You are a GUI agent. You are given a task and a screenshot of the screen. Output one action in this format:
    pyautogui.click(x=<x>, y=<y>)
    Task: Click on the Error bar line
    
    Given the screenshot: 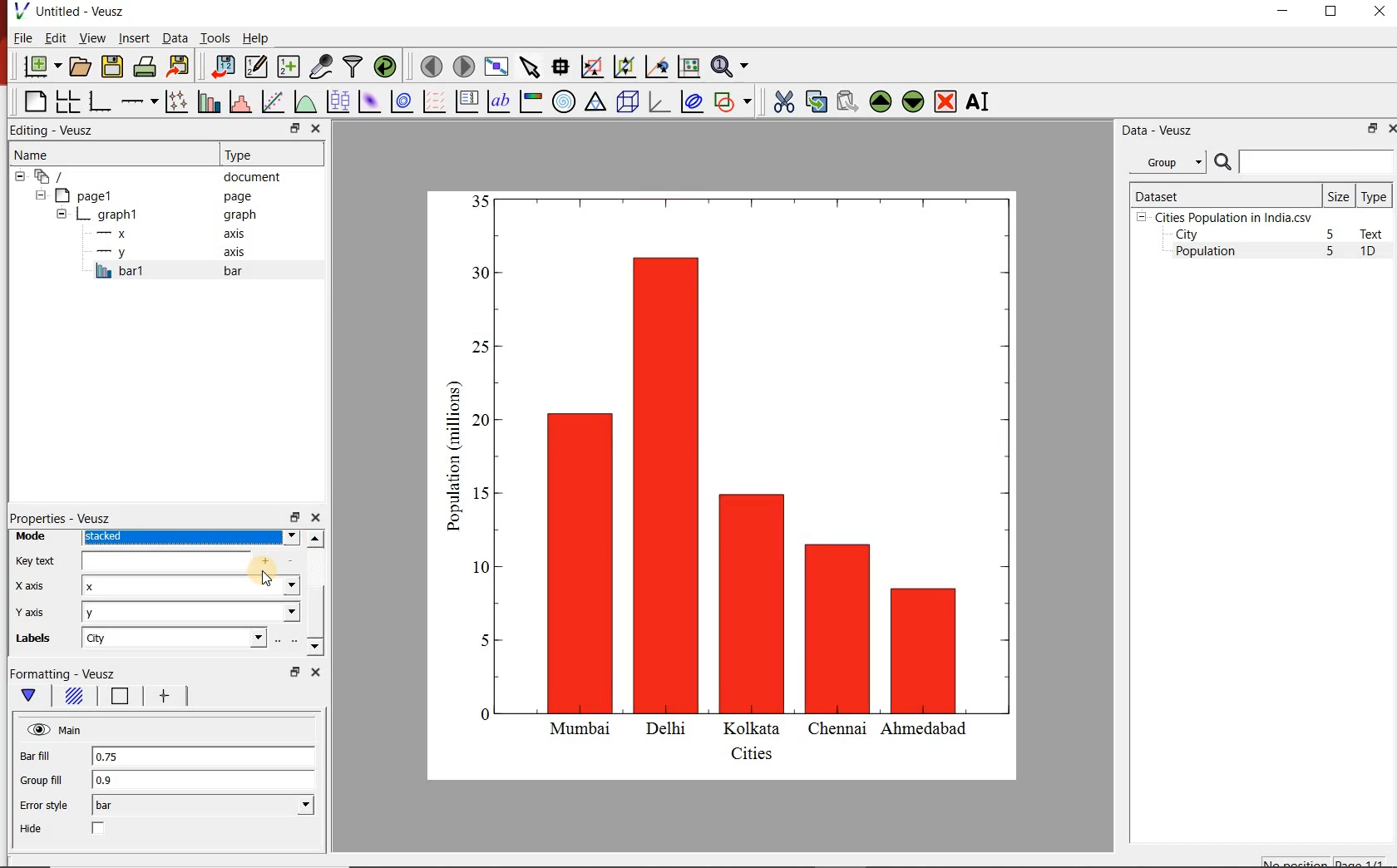 What is the action you would take?
    pyautogui.click(x=163, y=698)
    